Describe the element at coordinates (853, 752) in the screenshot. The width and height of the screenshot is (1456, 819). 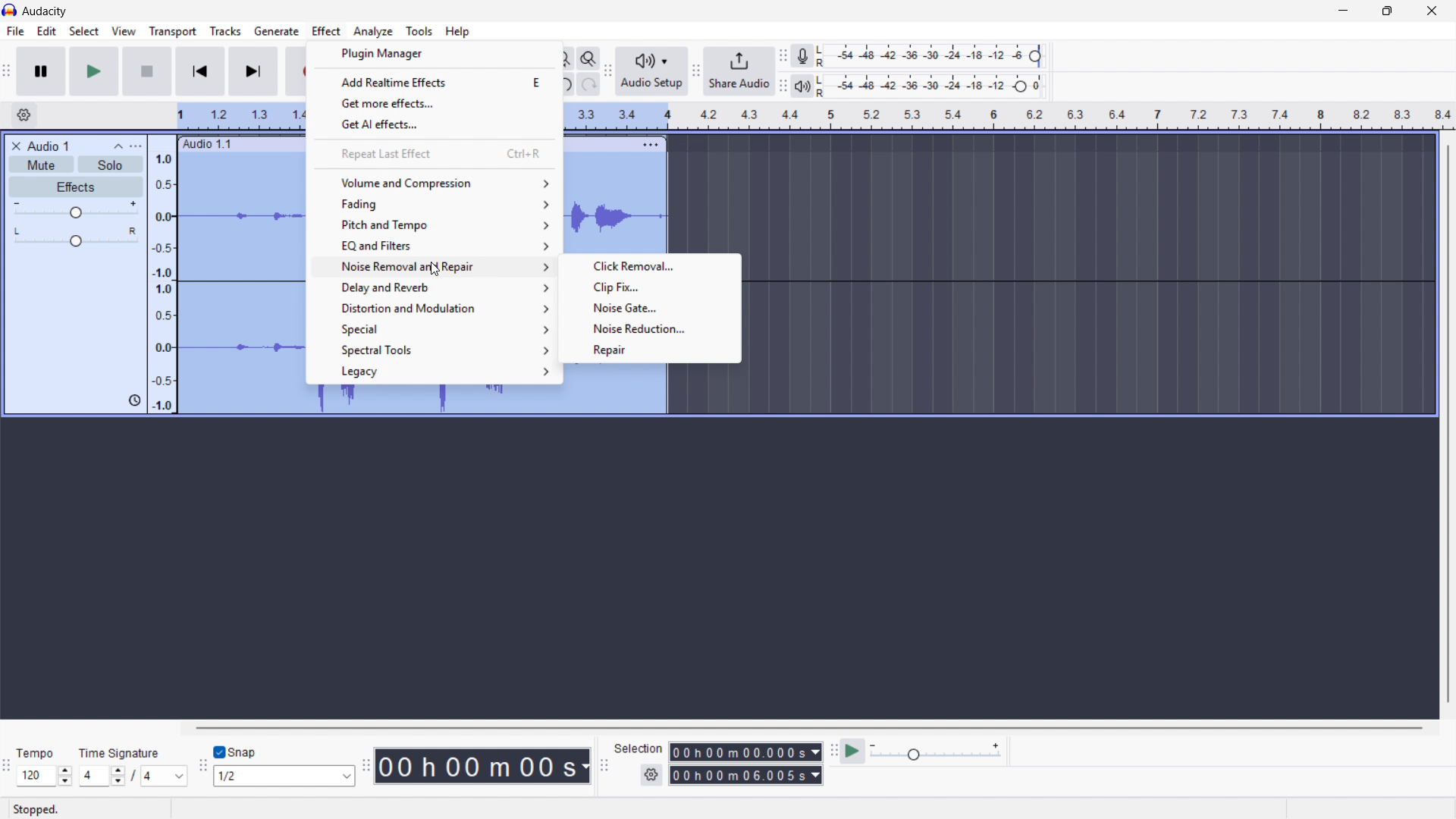
I see `Play at speed` at that location.